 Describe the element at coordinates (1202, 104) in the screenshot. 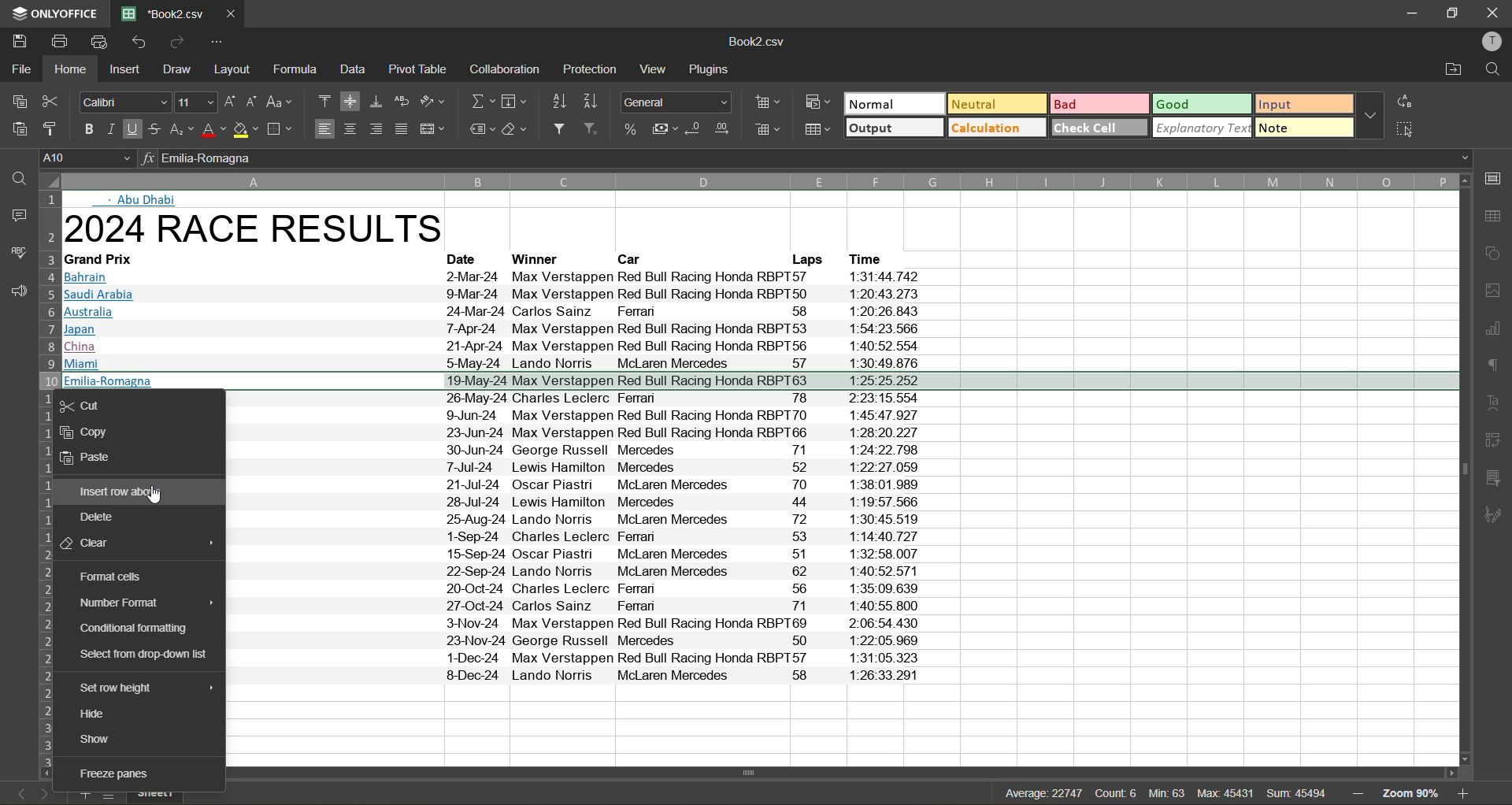

I see `good` at that location.